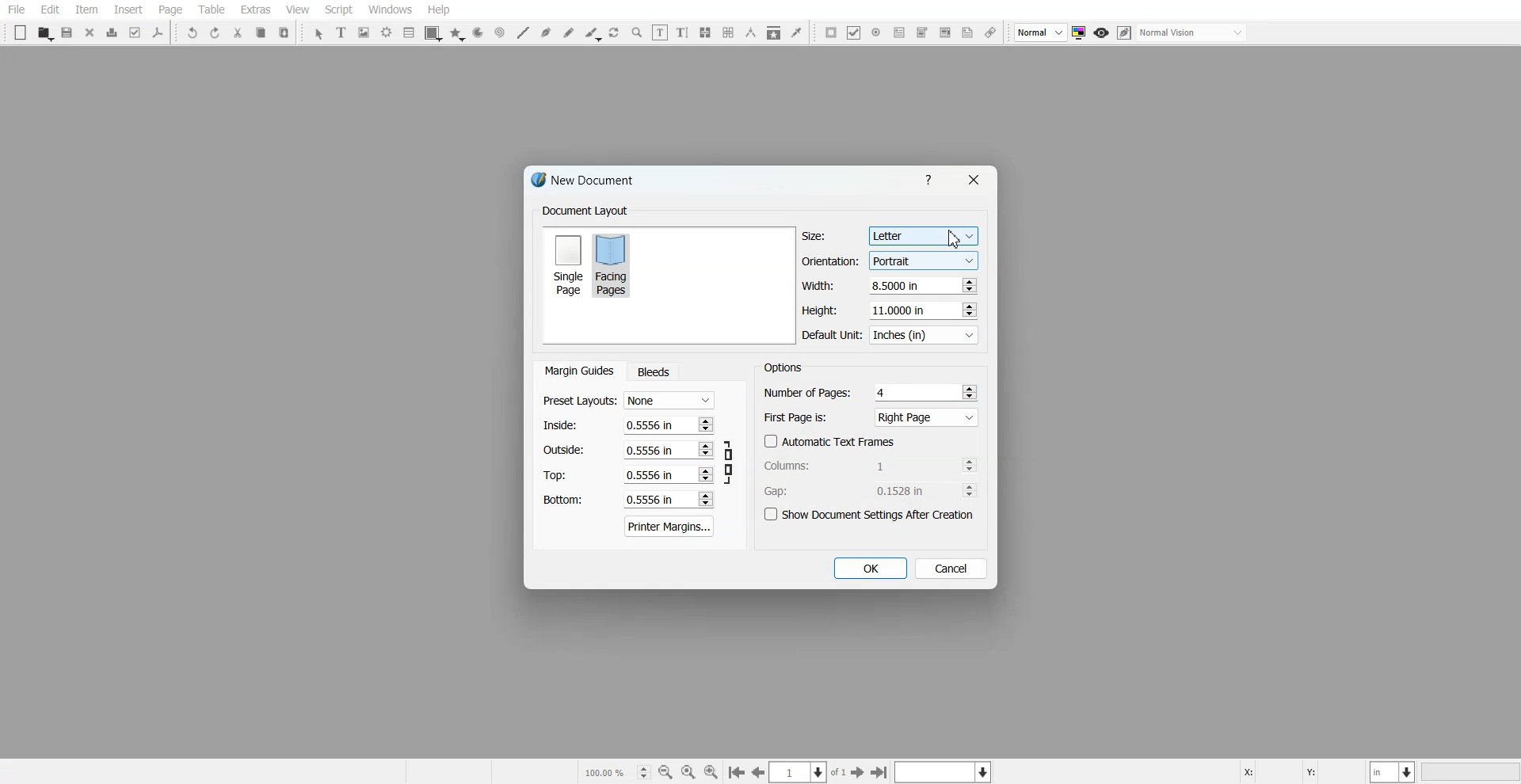 This screenshot has height=784, width=1521. What do you see at coordinates (650, 475) in the screenshot?
I see `0.5556 in` at bounding box center [650, 475].